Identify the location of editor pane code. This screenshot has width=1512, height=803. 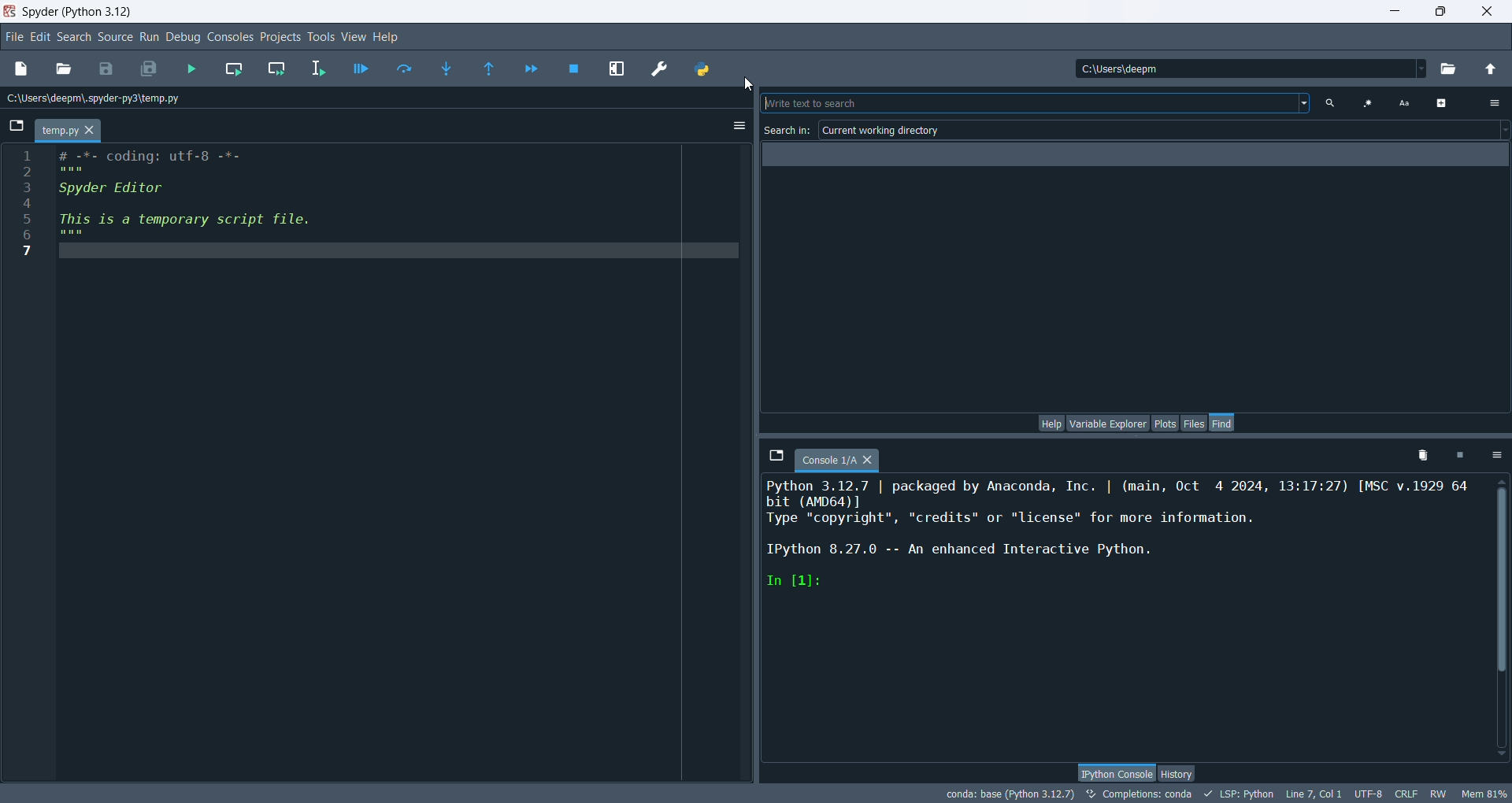
(201, 202).